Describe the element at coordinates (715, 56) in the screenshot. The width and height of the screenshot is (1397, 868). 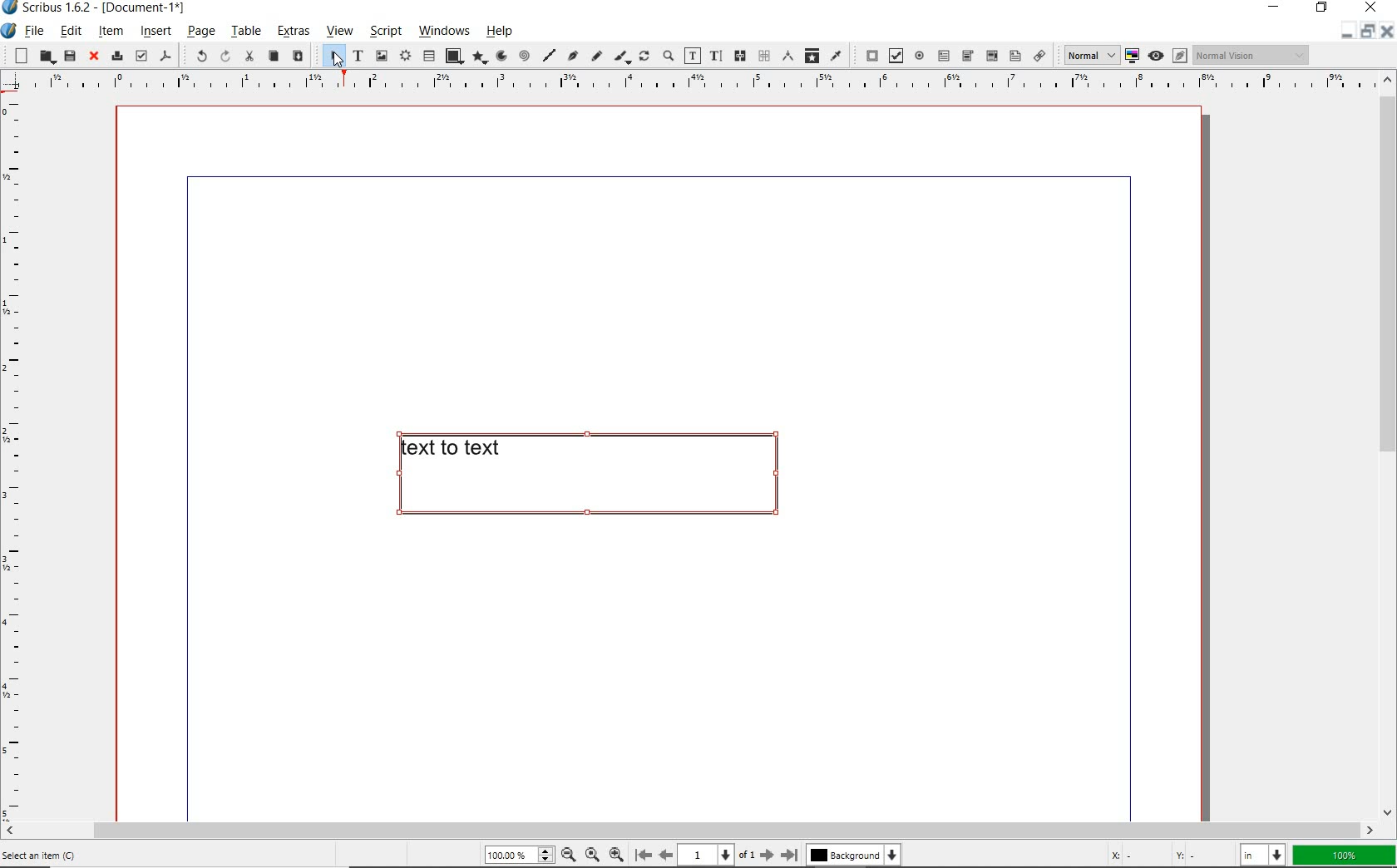
I see `edit text with story editor` at that location.